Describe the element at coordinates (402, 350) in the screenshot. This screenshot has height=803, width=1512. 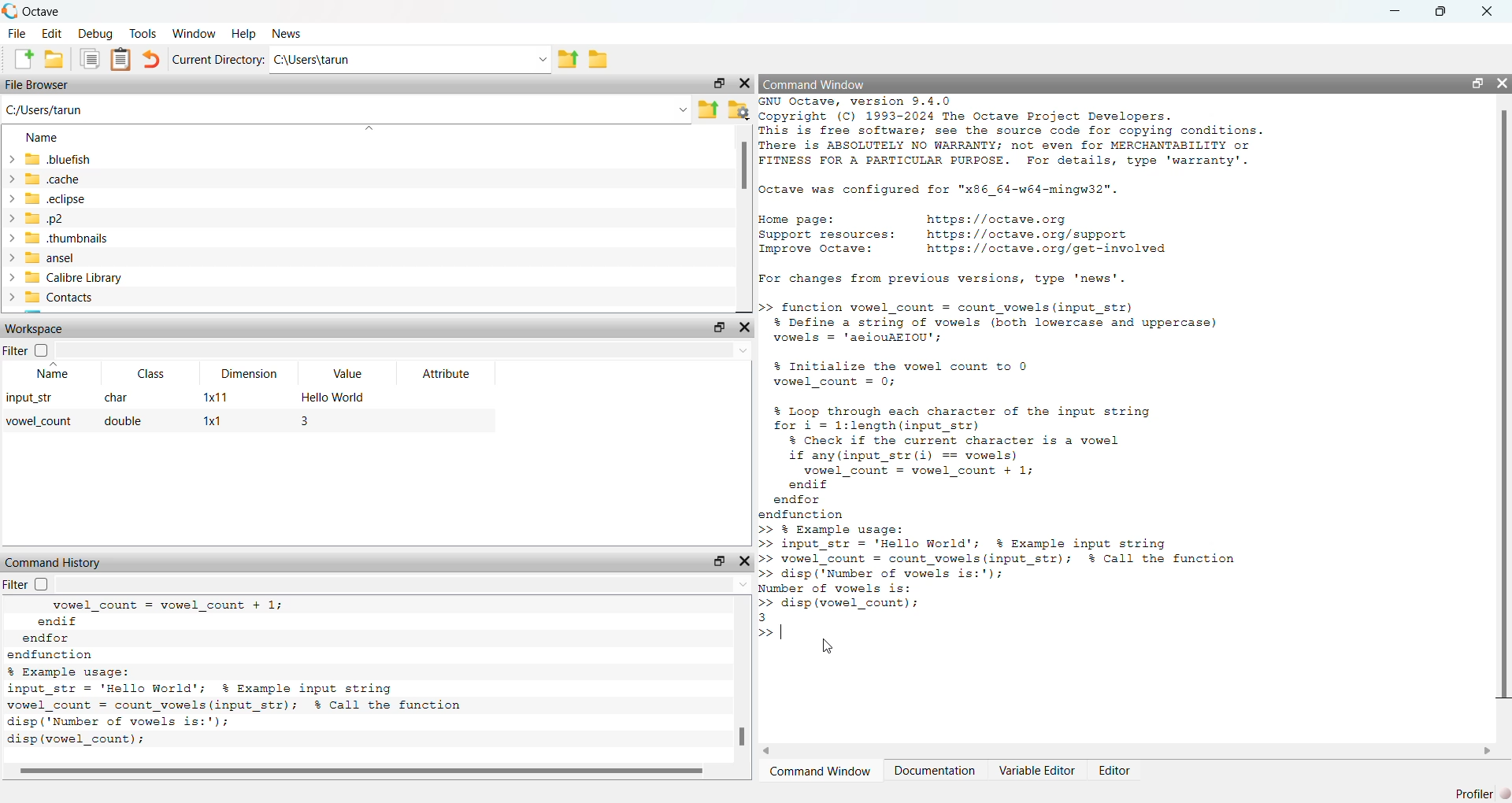
I see `Enter text to filter the workspace` at that location.